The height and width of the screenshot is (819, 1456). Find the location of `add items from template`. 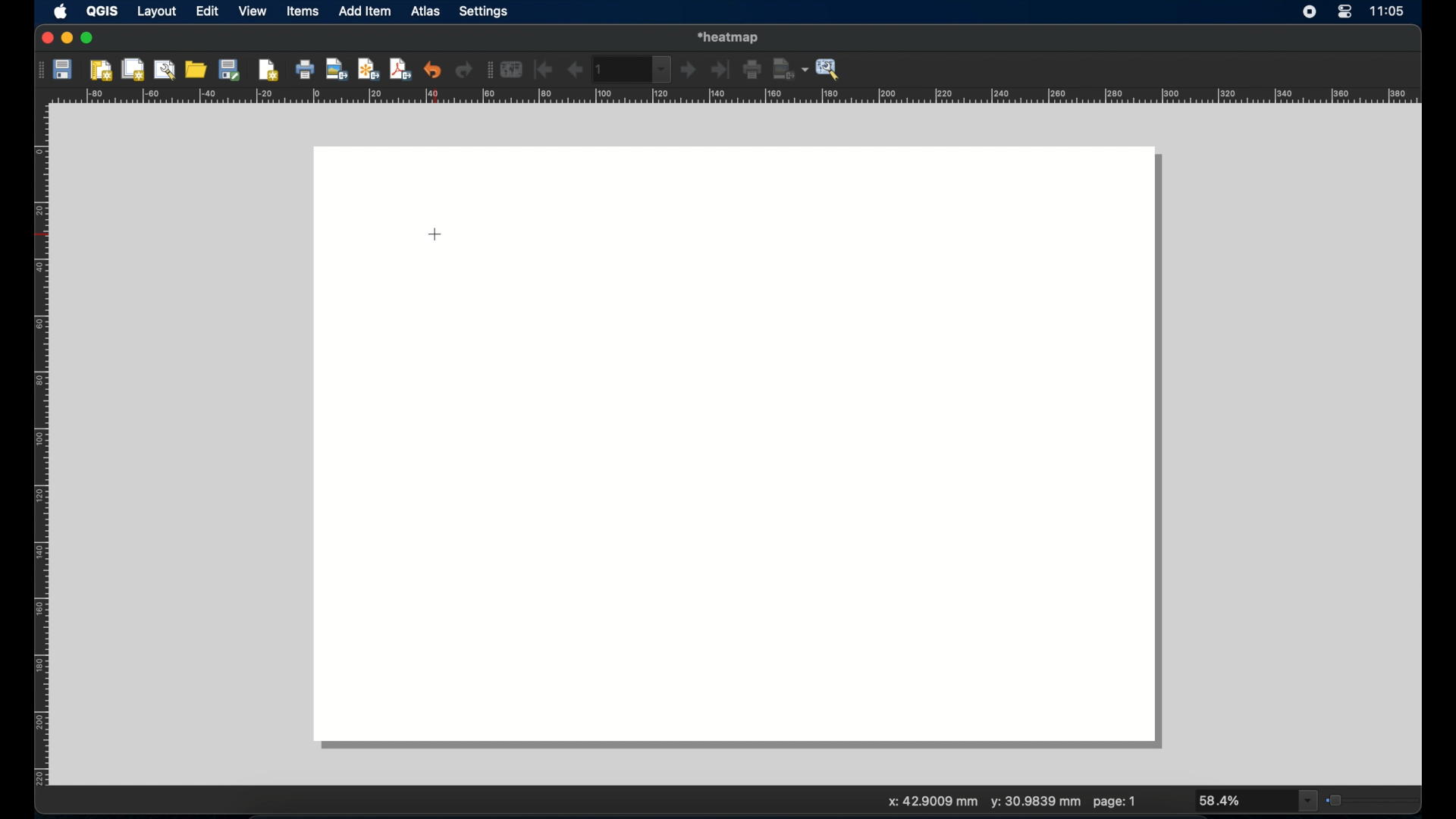

add items from template is located at coordinates (197, 69).